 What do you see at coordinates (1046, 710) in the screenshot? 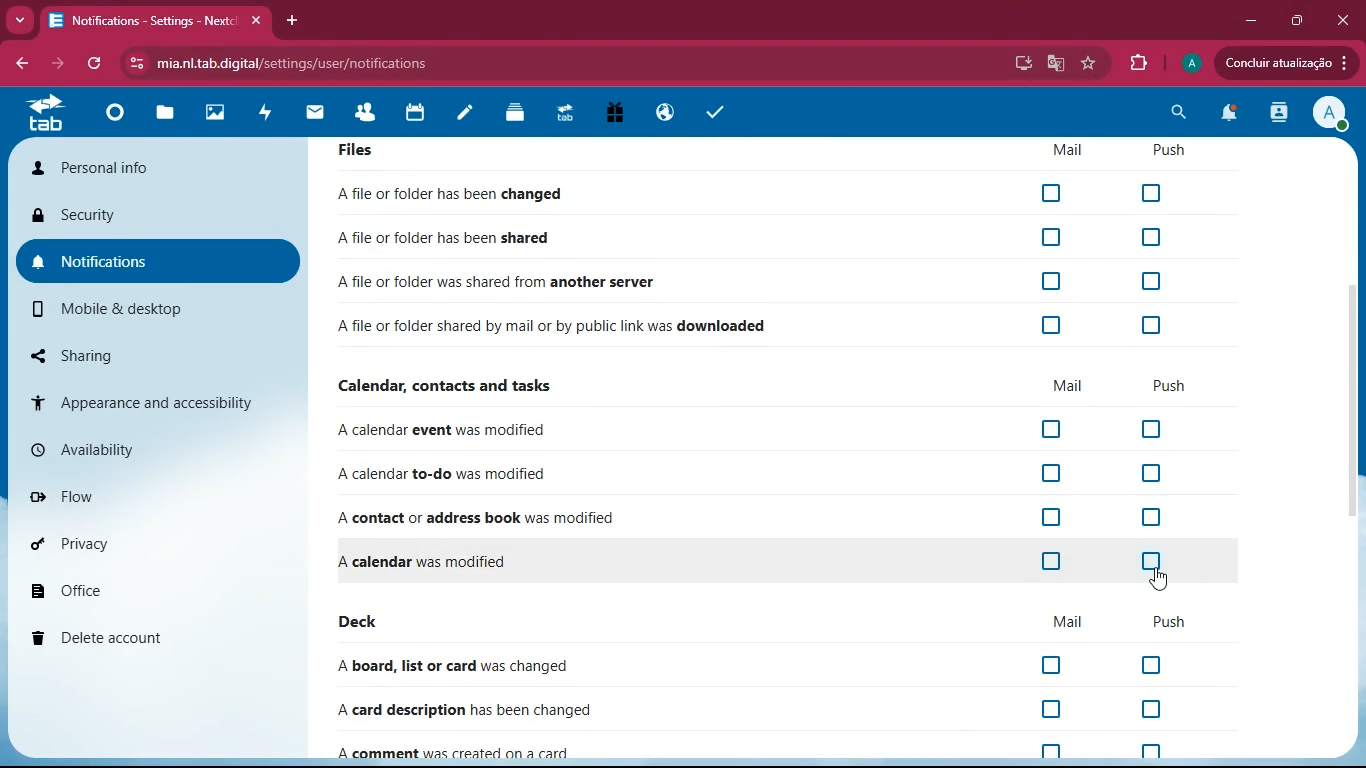
I see `off` at bounding box center [1046, 710].